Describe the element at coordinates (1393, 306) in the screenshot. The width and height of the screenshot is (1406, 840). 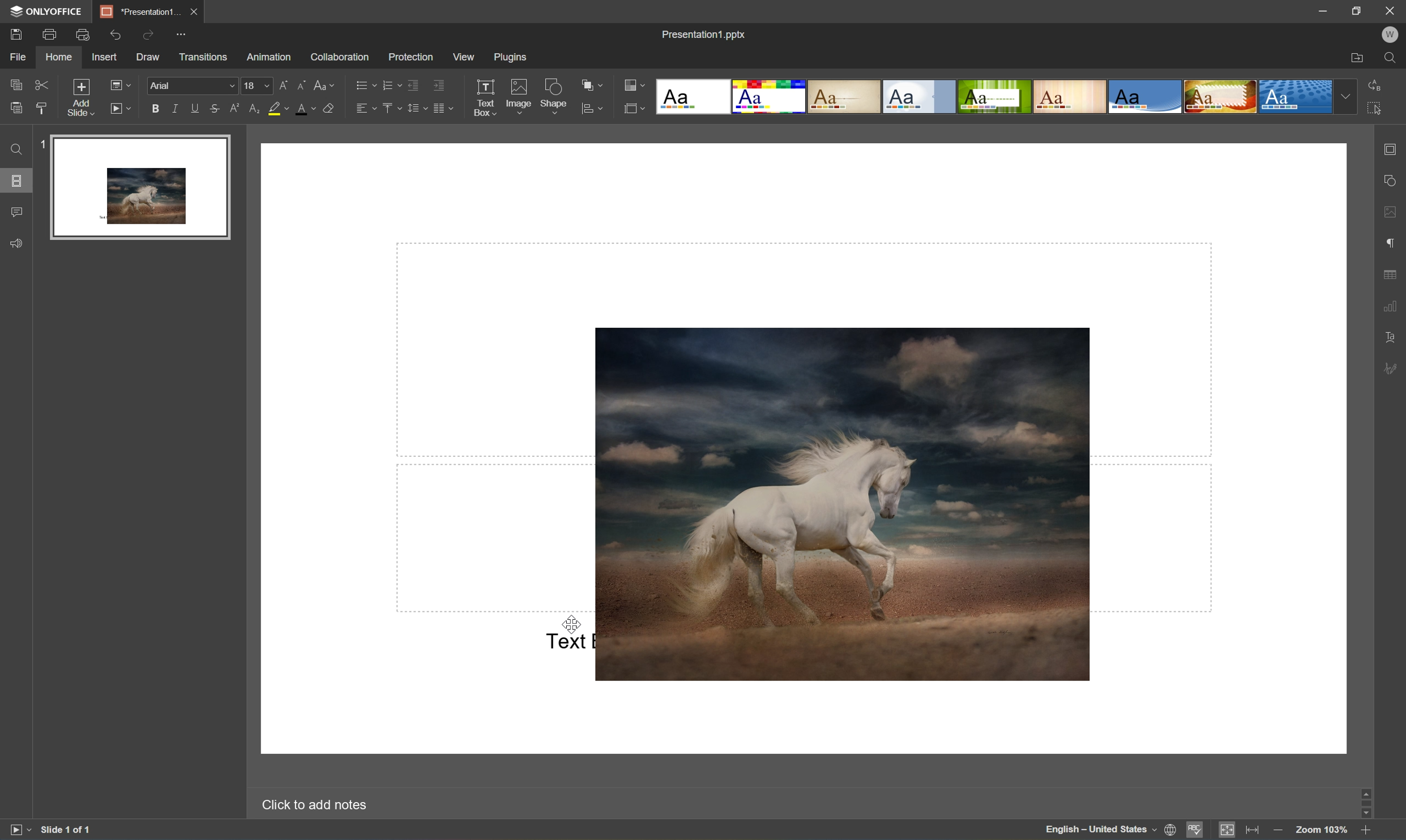
I see `Chart settings` at that location.